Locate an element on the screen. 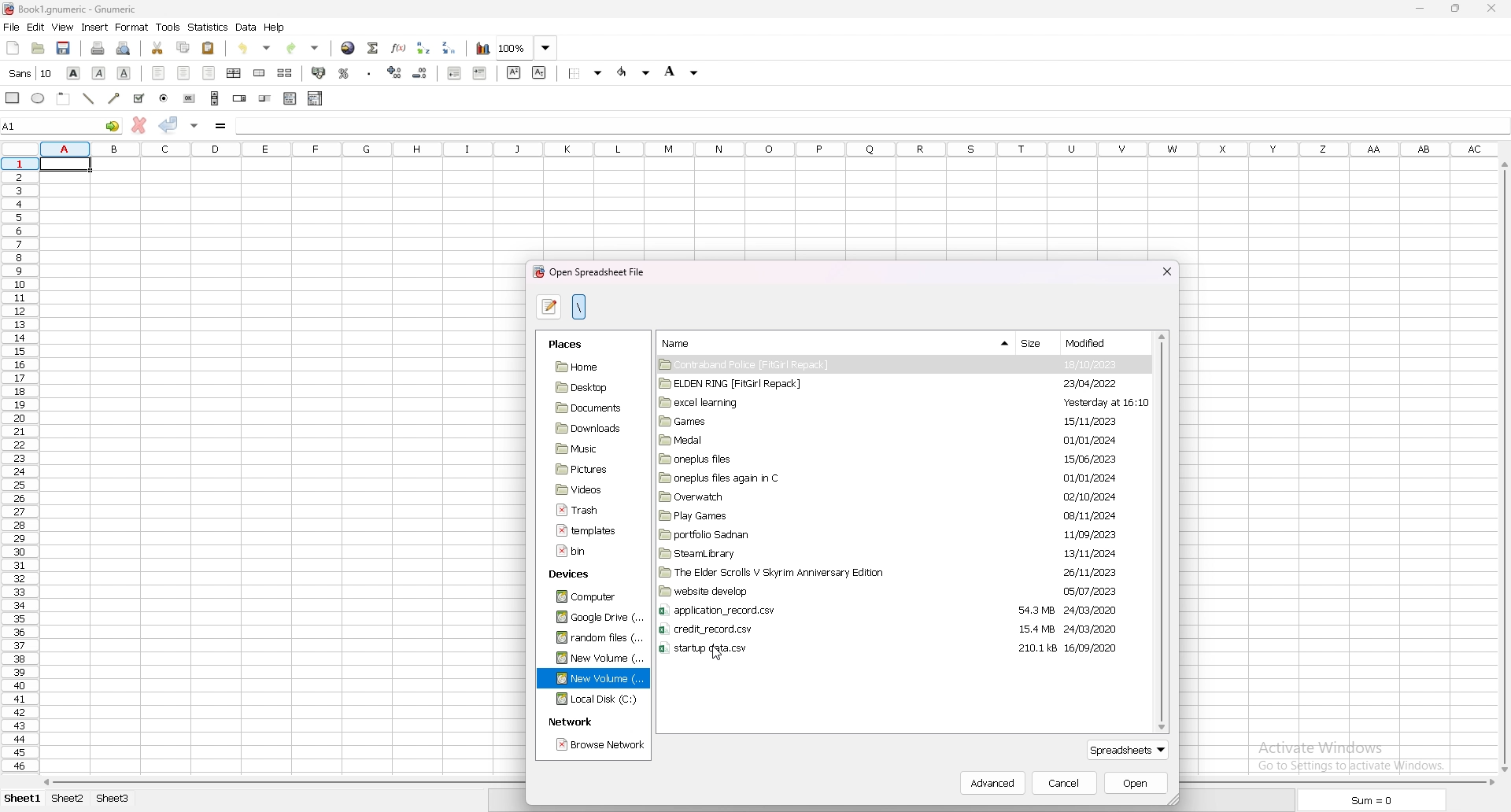  Modified is located at coordinates (1083, 343).